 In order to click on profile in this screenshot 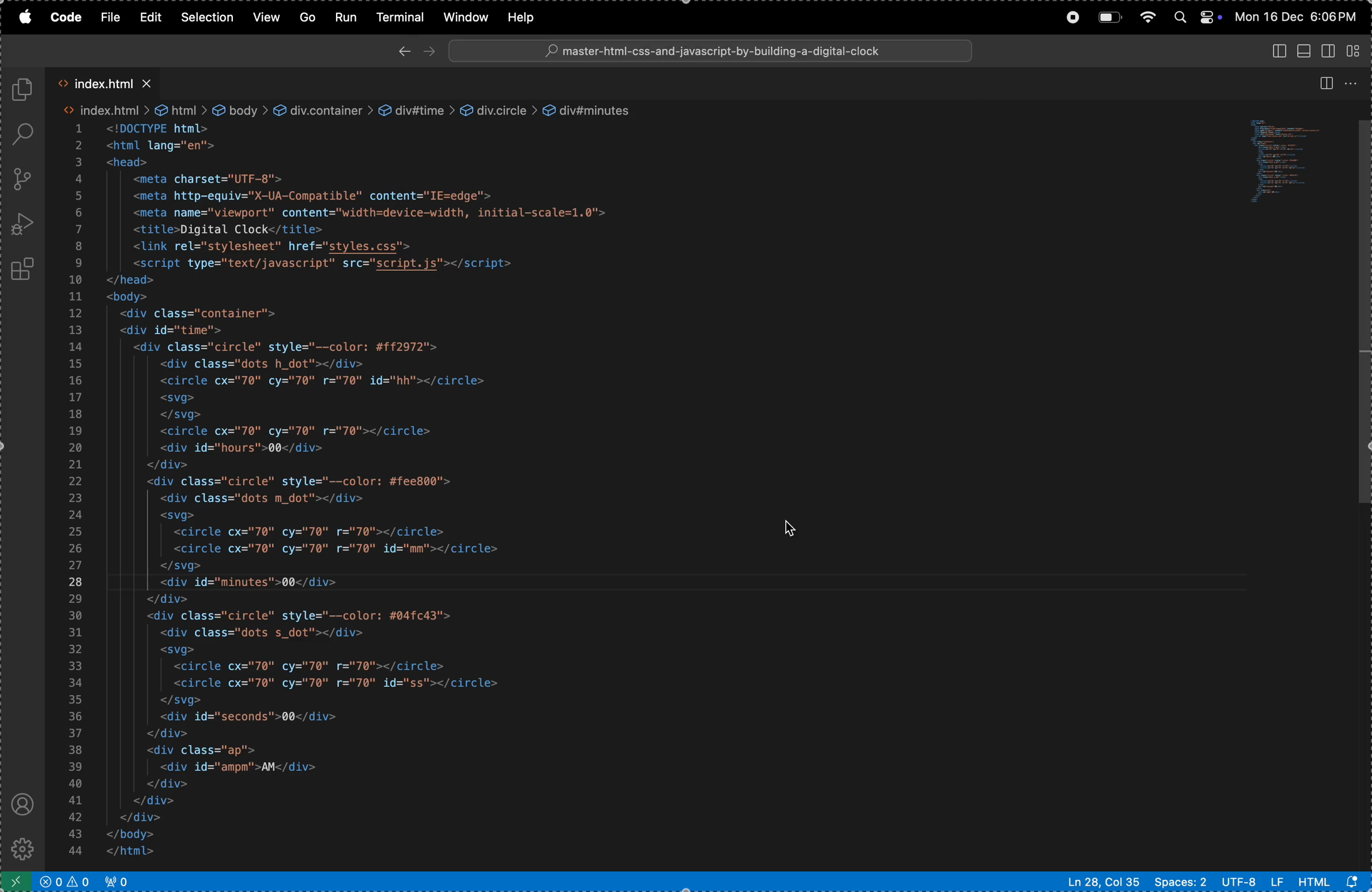, I will do `click(22, 806)`.